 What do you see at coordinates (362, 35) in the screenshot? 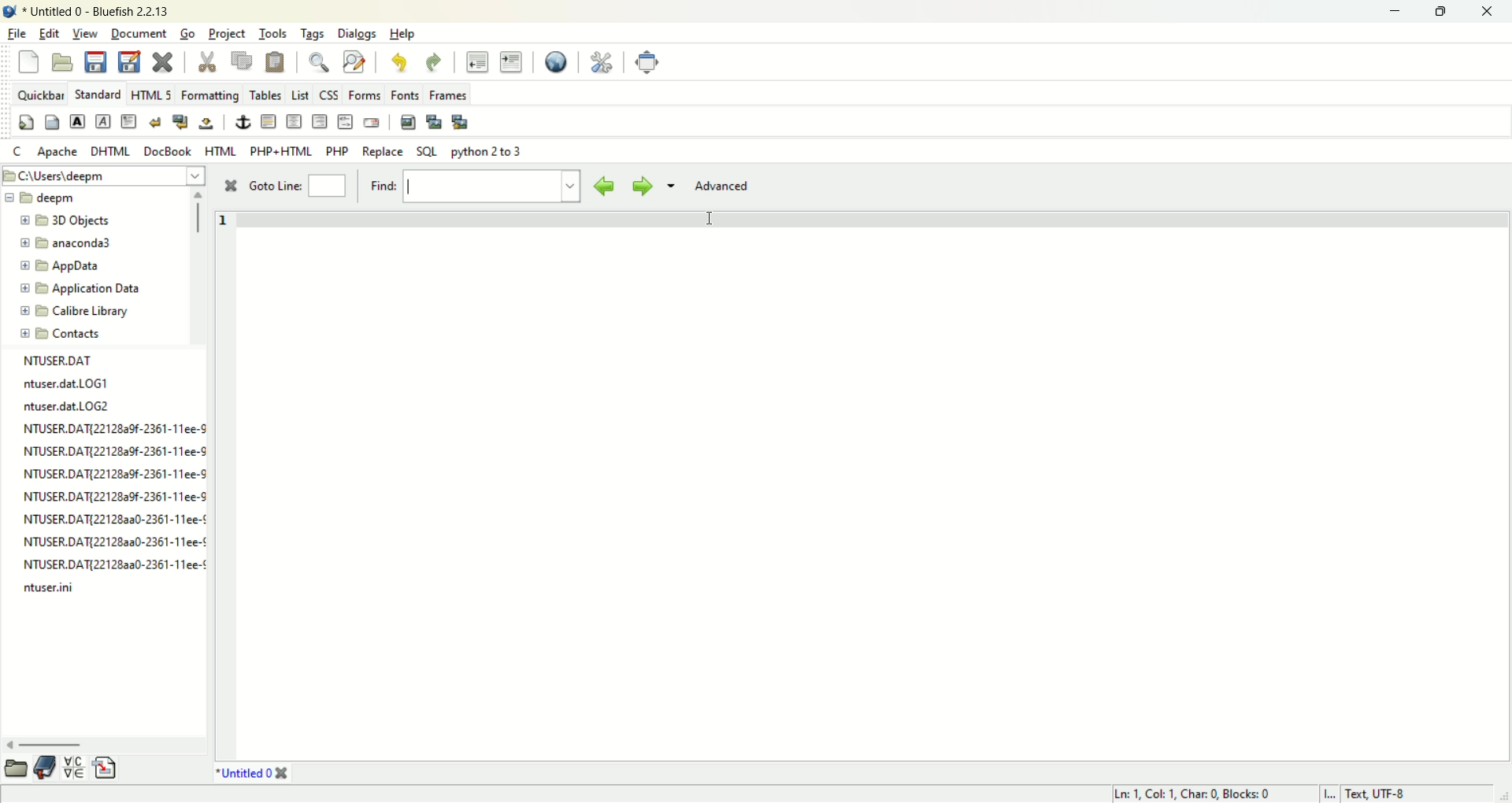
I see `dialogs` at bounding box center [362, 35].